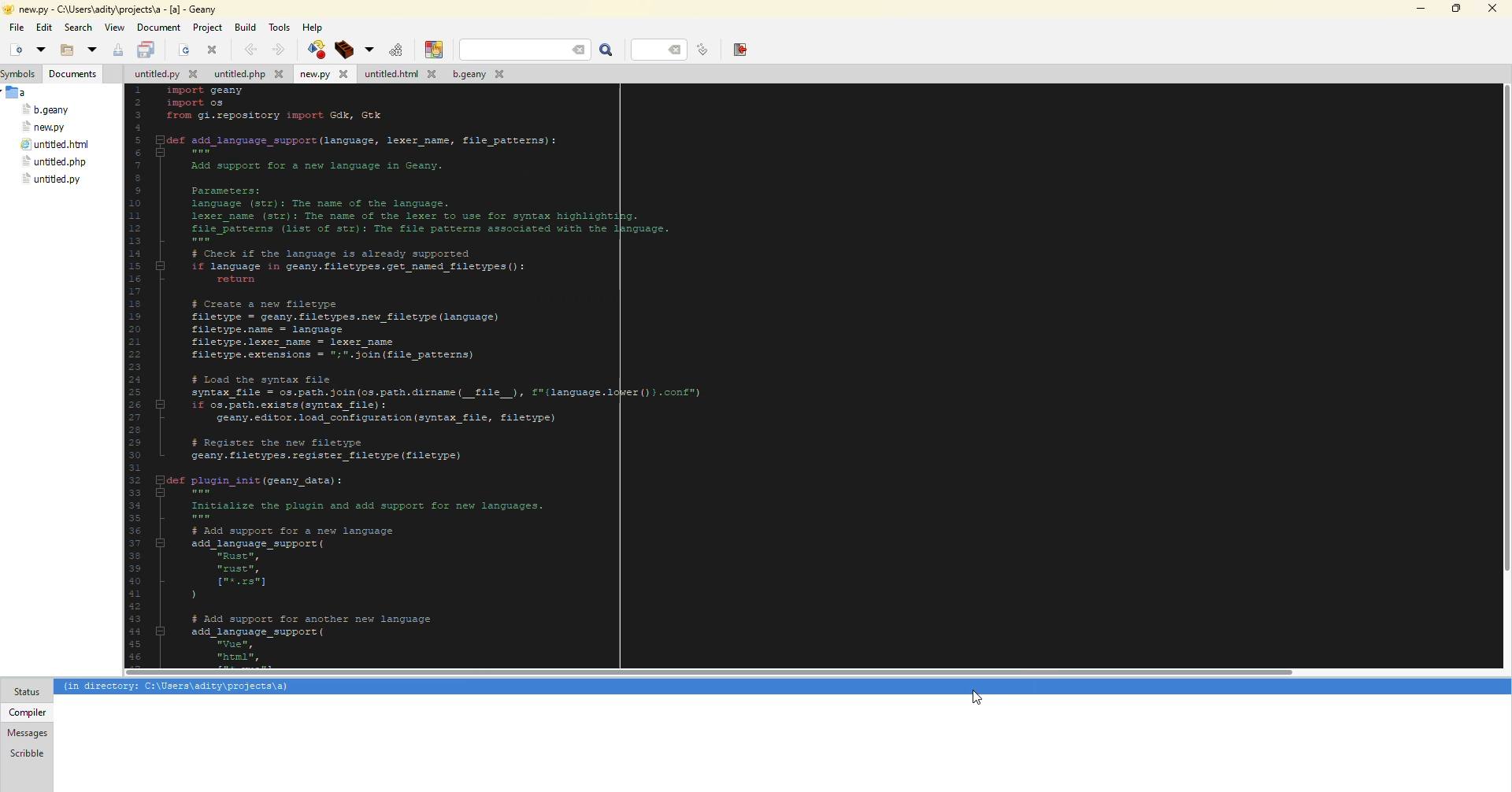 The image size is (1512, 792). What do you see at coordinates (513, 373) in the screenshot?
I see `code` at bounding box center [513, 373].